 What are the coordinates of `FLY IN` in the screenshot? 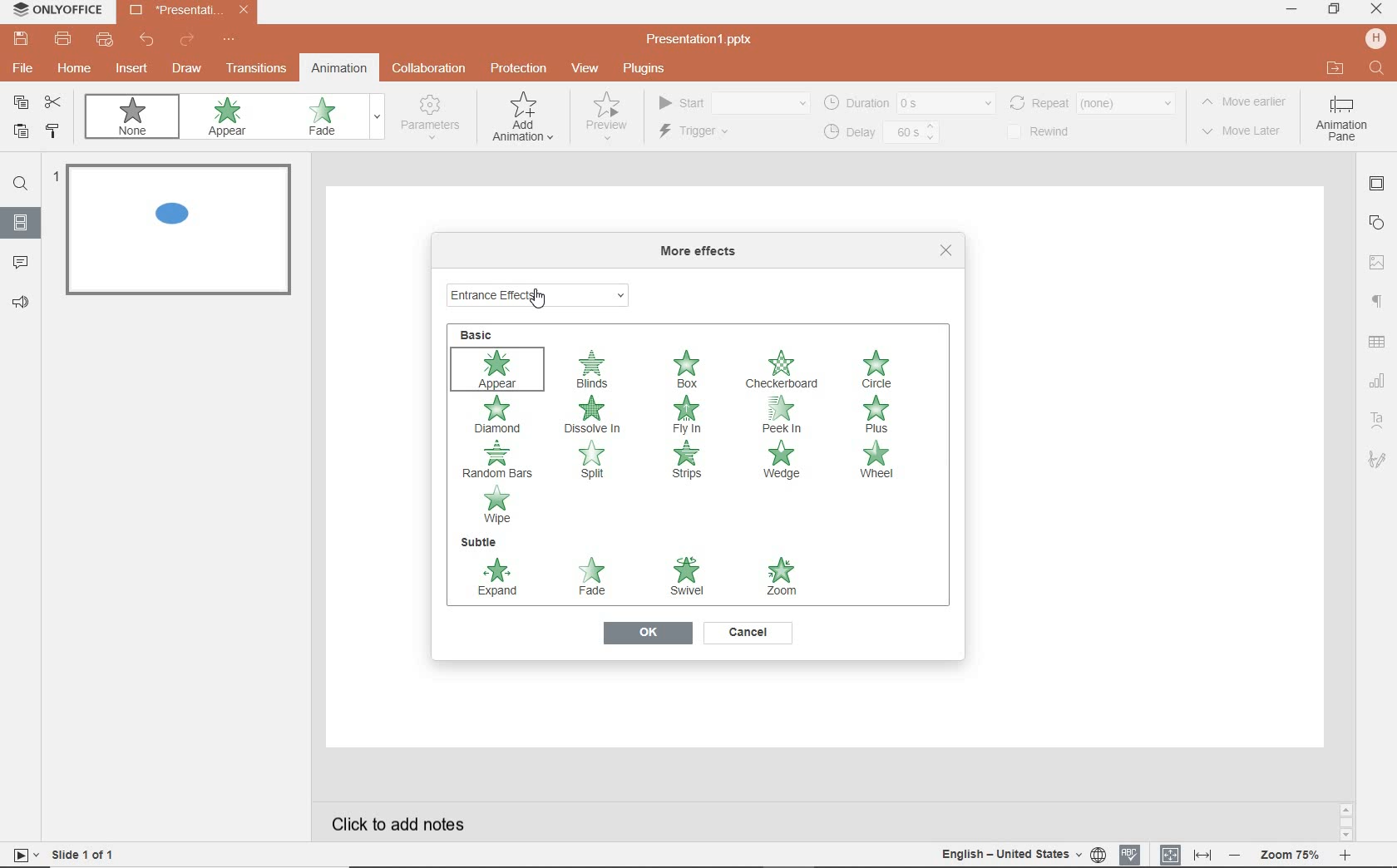 It's located at (688, 415).